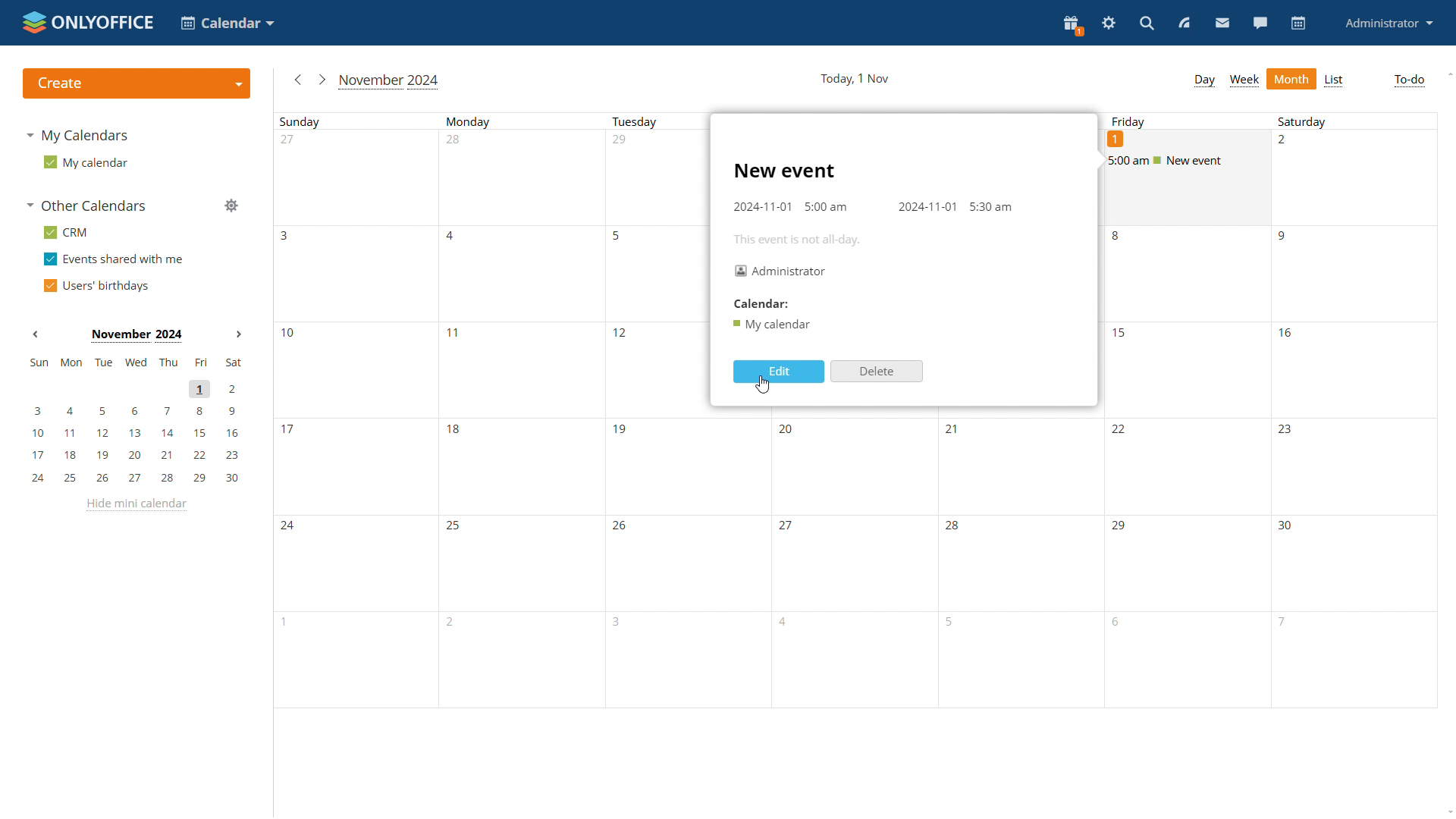 This screenshot has height=819, width=1456. Describe the element at coordinates (135, 420) in the screenshot. I see `mini calendar` at that location.